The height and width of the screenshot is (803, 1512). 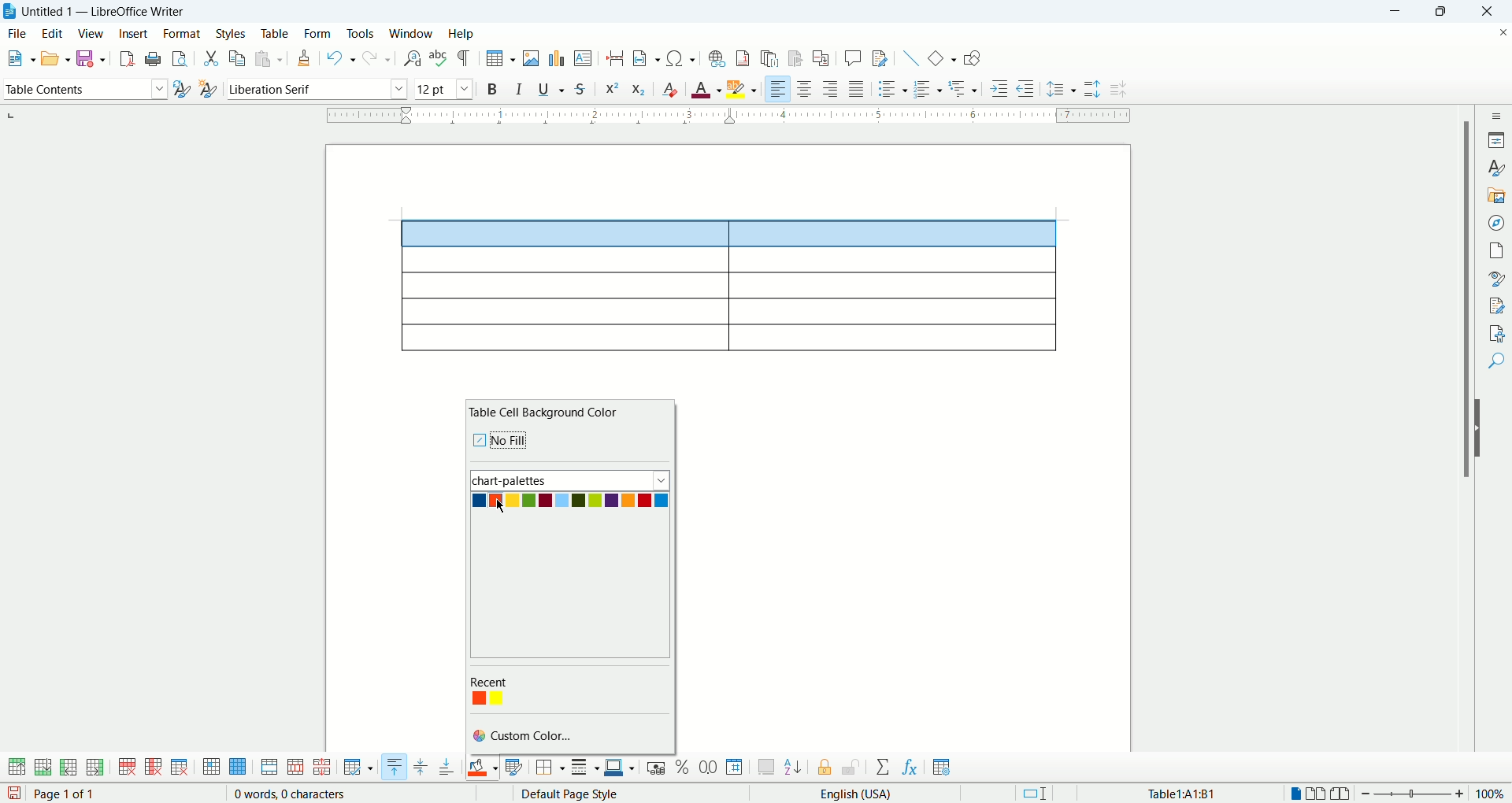 I want to click on bold, so click(x=495, y=88).